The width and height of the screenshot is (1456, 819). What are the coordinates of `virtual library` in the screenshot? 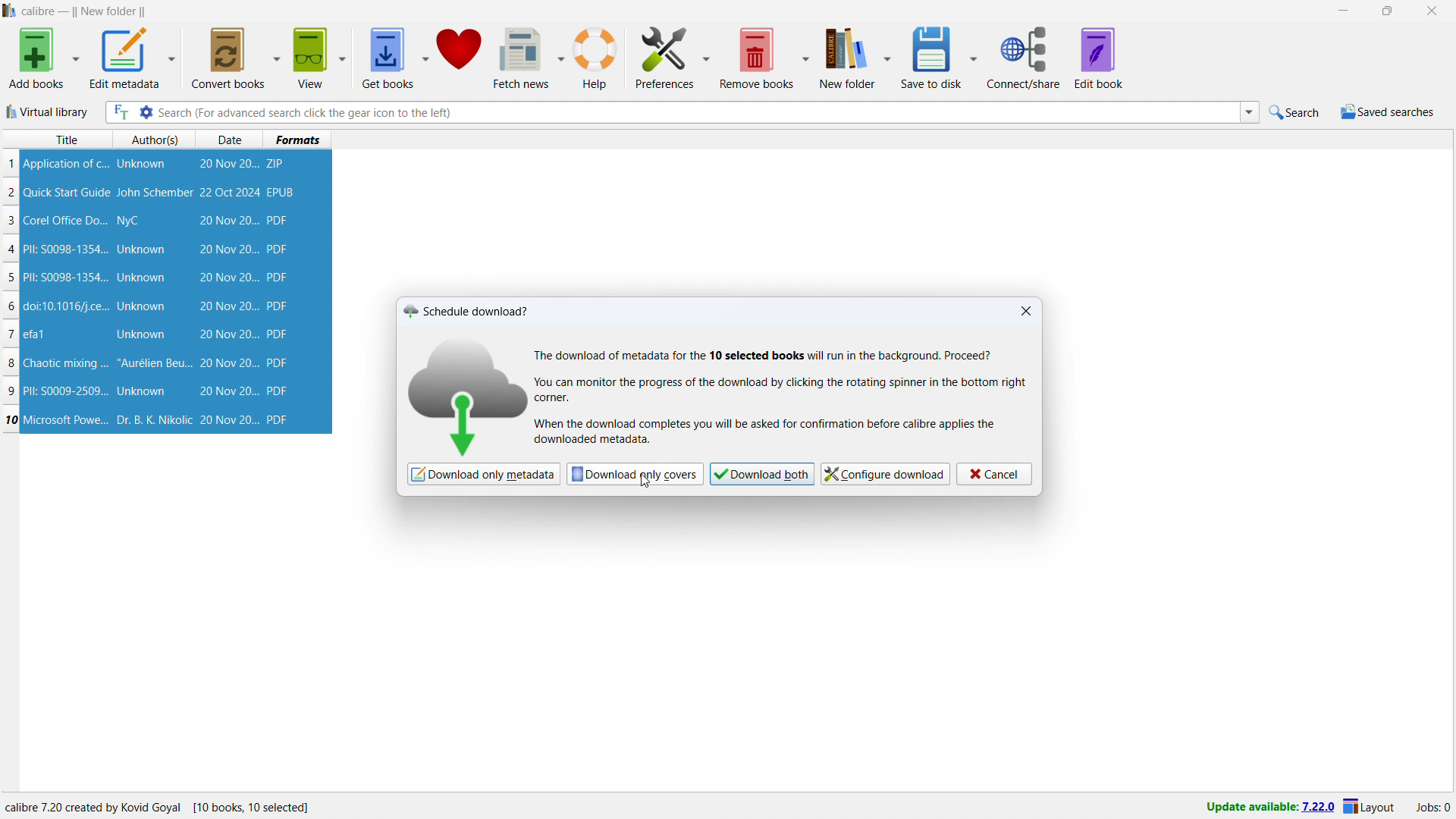 It's located at (48, 111).